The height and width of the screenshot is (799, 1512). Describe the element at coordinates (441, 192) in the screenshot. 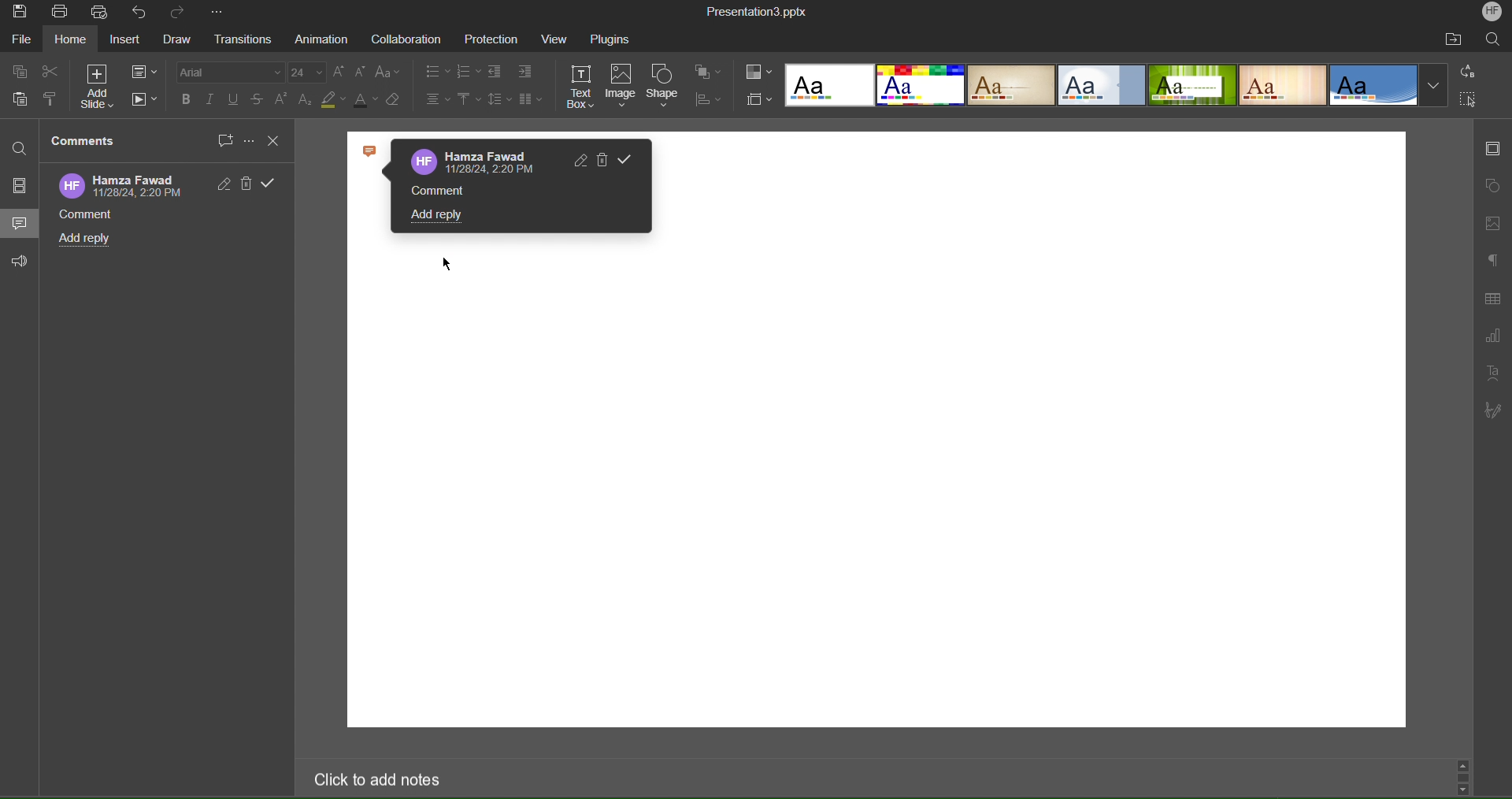

I see `Comment` at that location.